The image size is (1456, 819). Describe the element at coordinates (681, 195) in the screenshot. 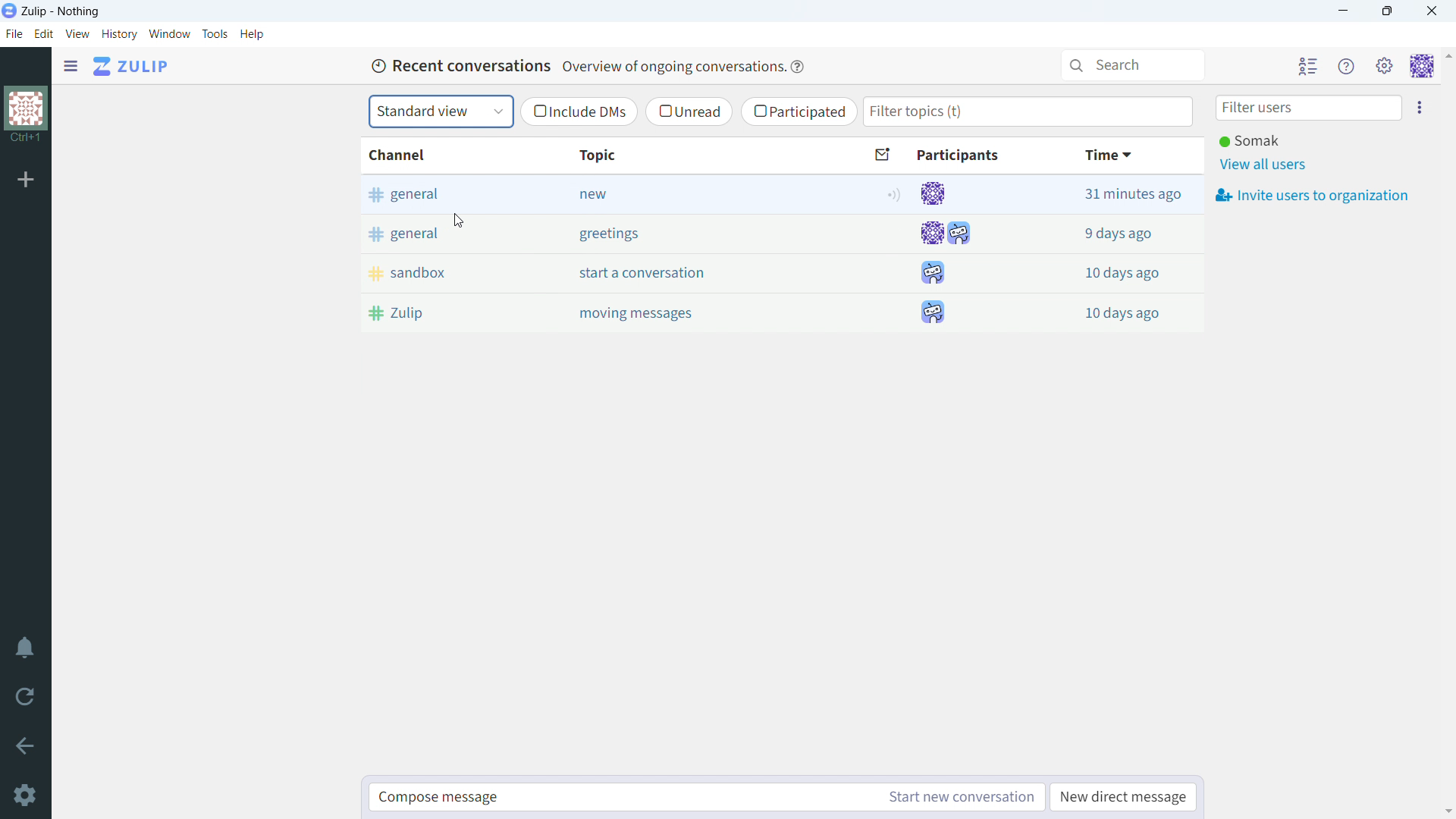

I see `new` at that location.